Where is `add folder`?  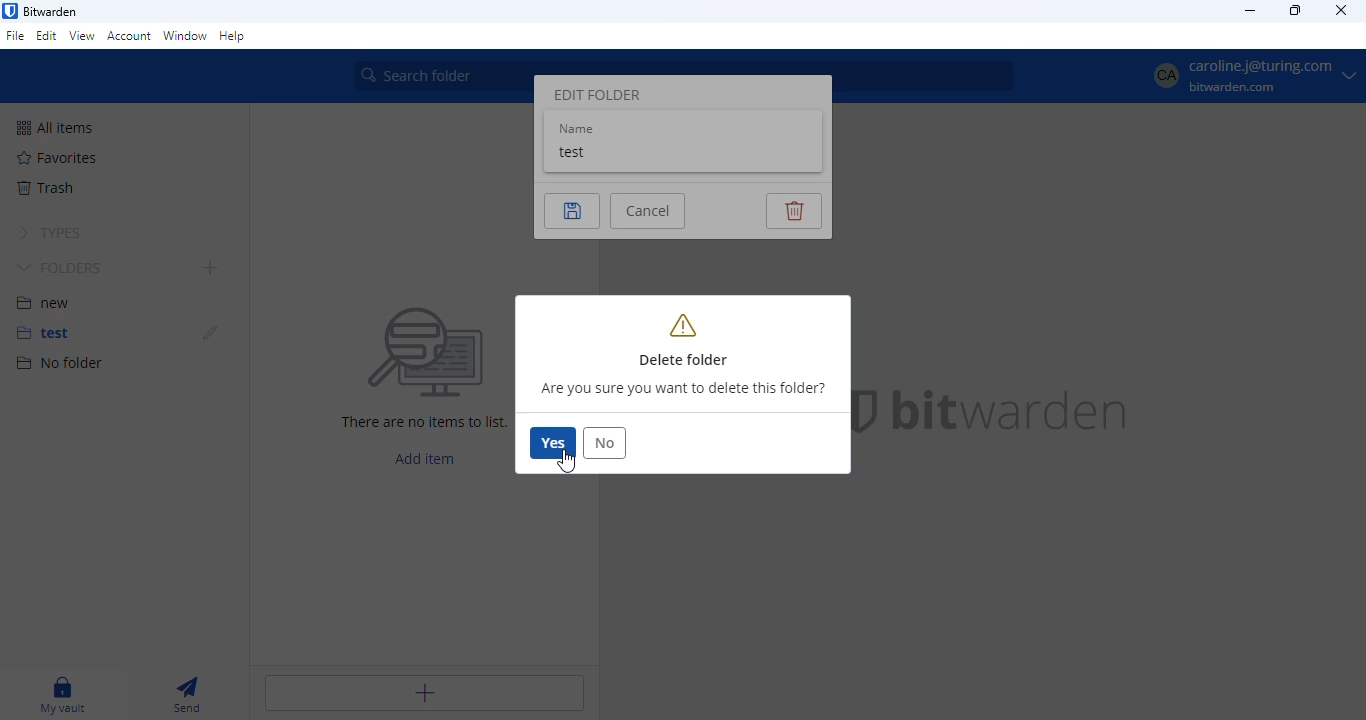 add folder is located at coordinates (210, 268).